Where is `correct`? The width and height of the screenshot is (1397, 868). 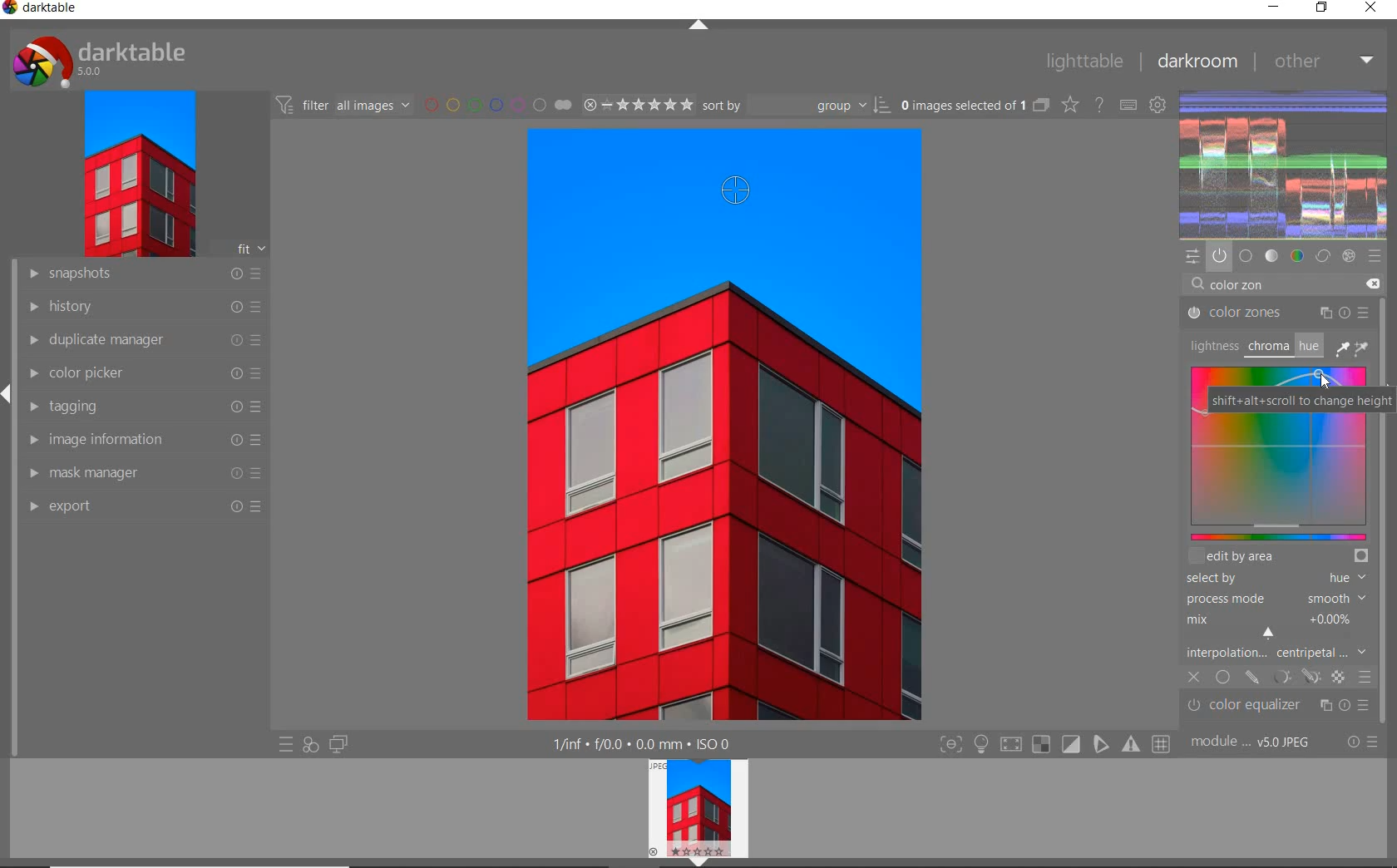 correct is located at coordinates (1323, 257).